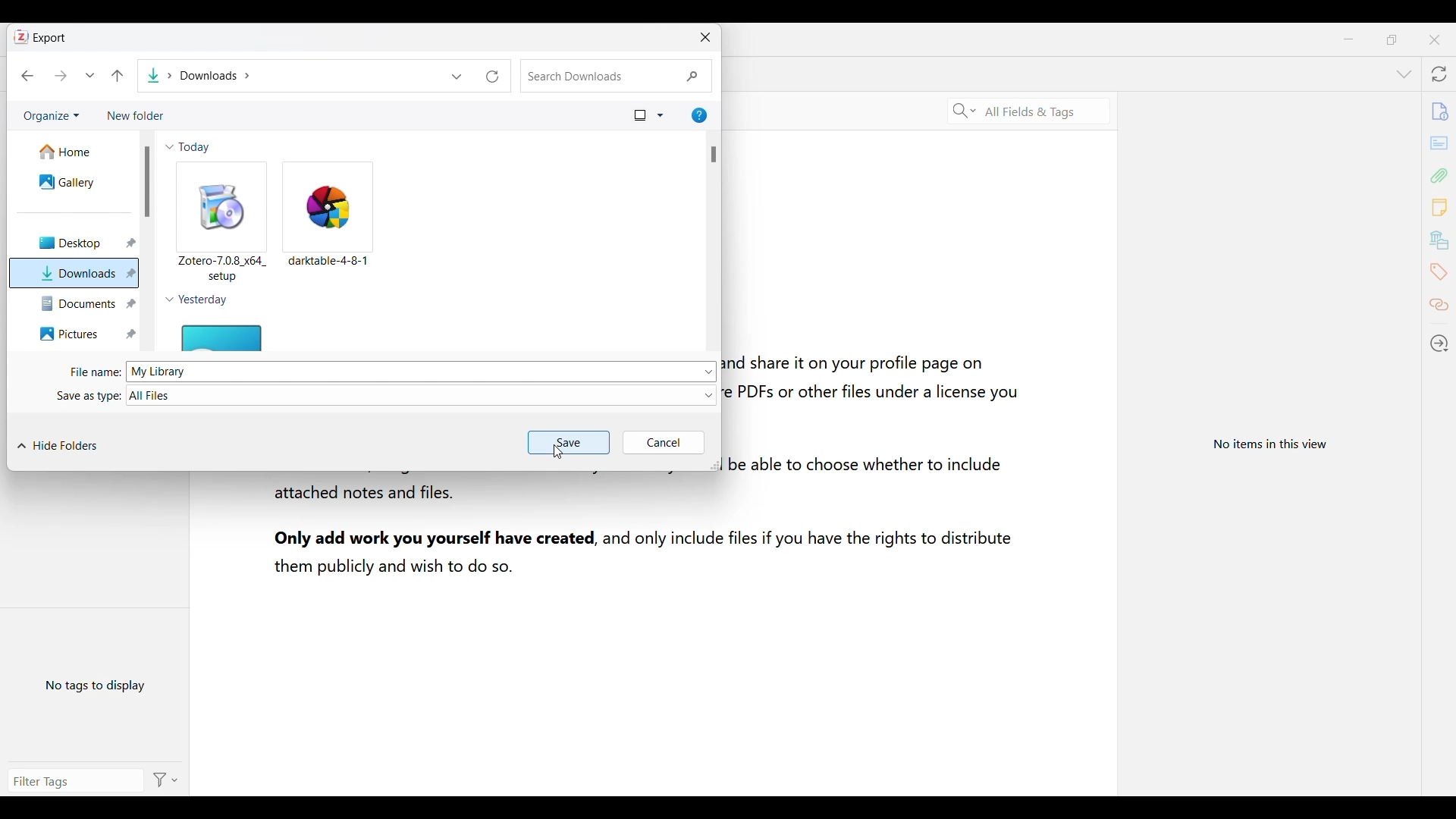 This screenshot has height=819, width=1456. What do you see at coordinates (648, 115) in the screenshot?
I see `Files` at bounding box center [648, 115].